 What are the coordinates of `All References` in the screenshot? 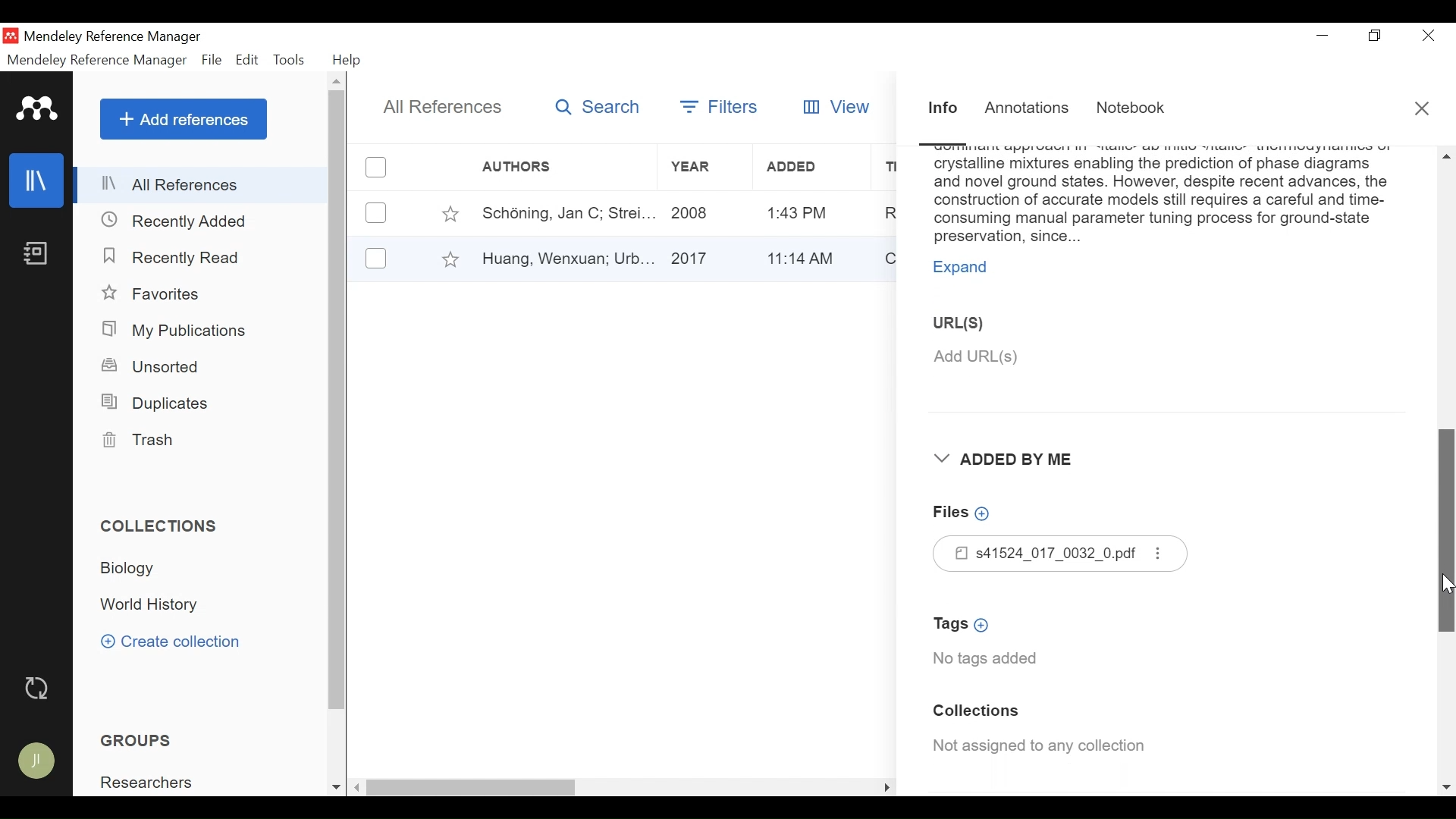 It's located at (202, 184).